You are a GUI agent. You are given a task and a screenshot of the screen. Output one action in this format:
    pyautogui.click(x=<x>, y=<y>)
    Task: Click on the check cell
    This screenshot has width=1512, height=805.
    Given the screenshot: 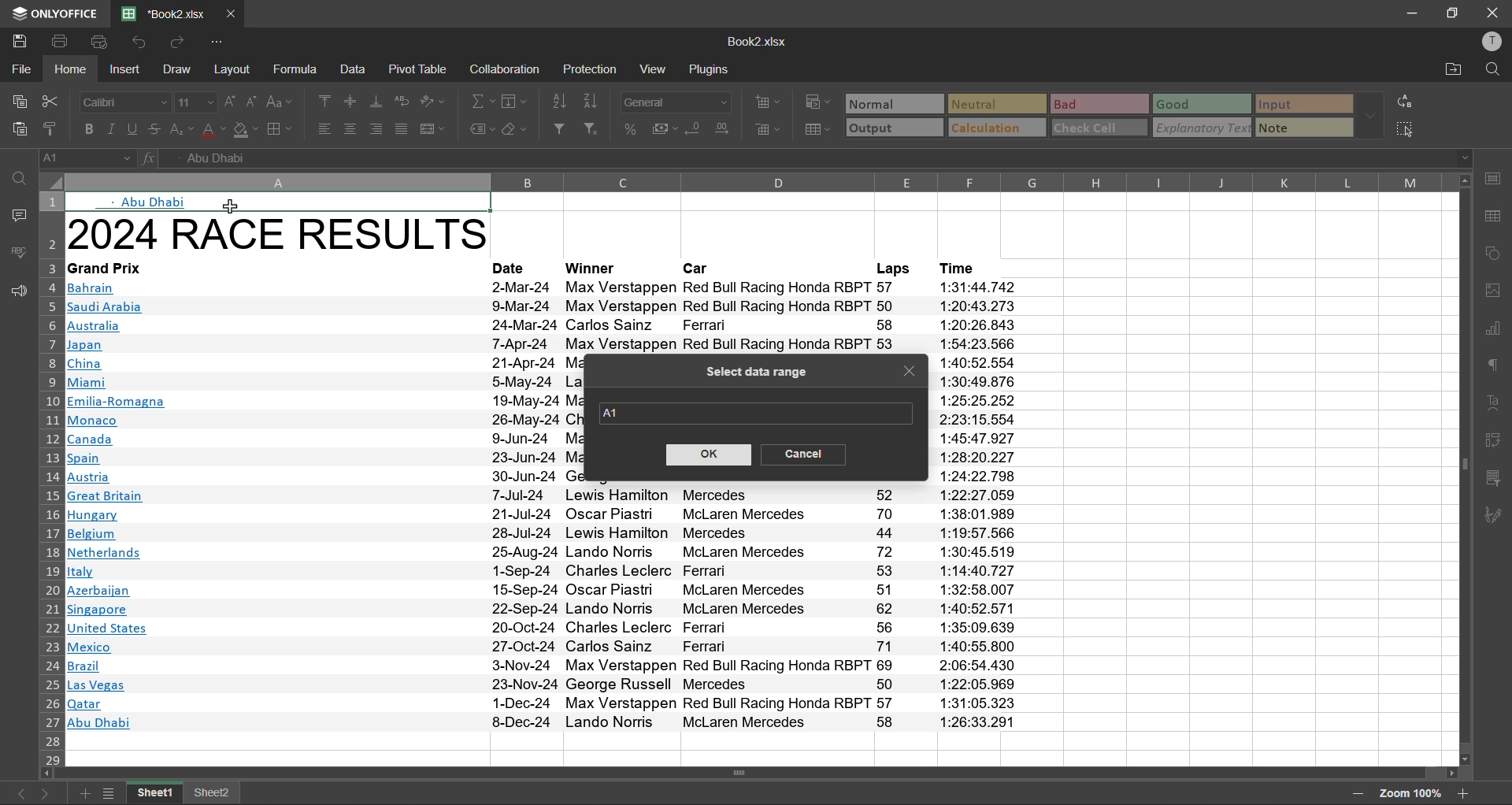 What is the action you would take?
    pyautogui.click(x=1098, y=127)
    